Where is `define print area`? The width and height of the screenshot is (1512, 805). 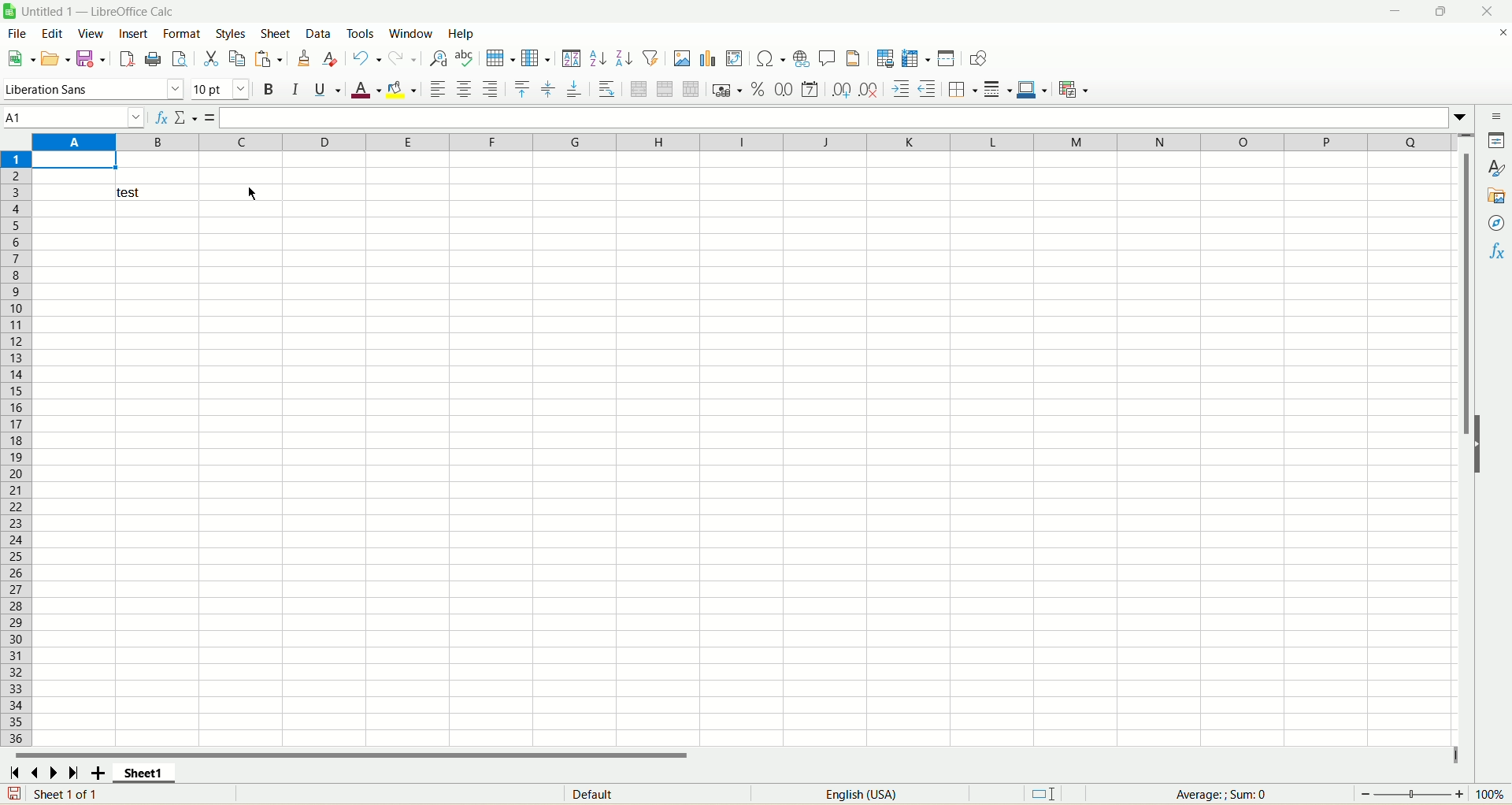 define print area is located at coordinates (885, 58).